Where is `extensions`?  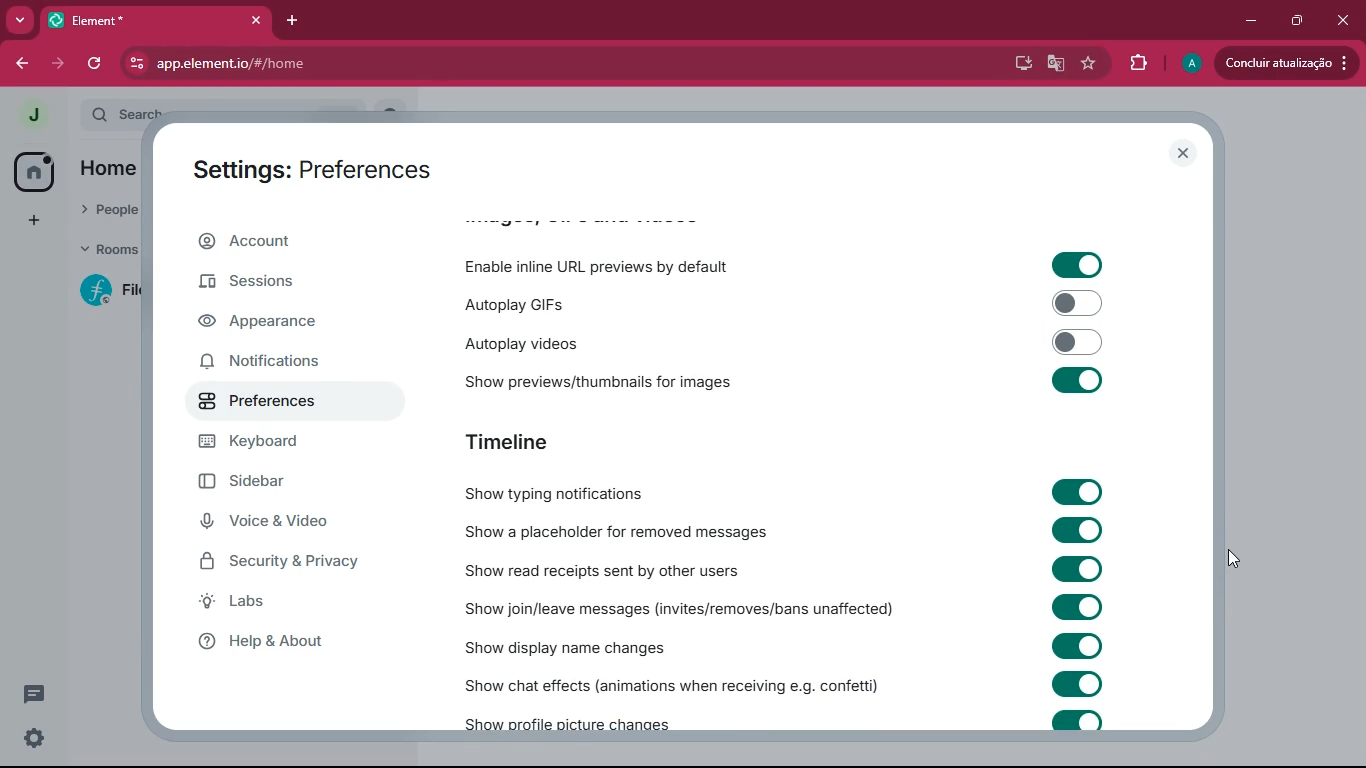
extensions is located at coordinates (1138, 64).